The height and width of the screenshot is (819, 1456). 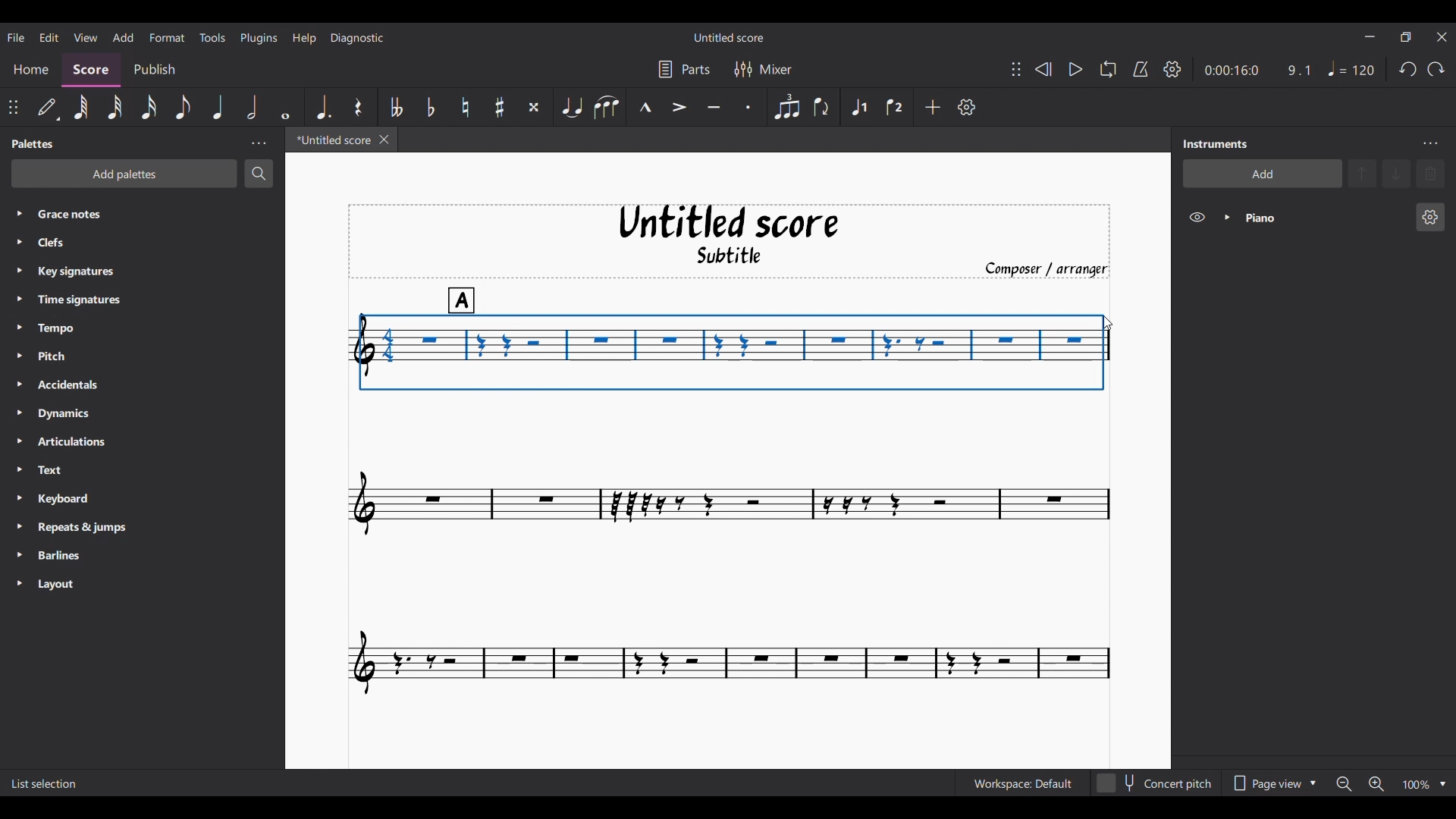 I want to click on Tie, so click(x=571, y=106).